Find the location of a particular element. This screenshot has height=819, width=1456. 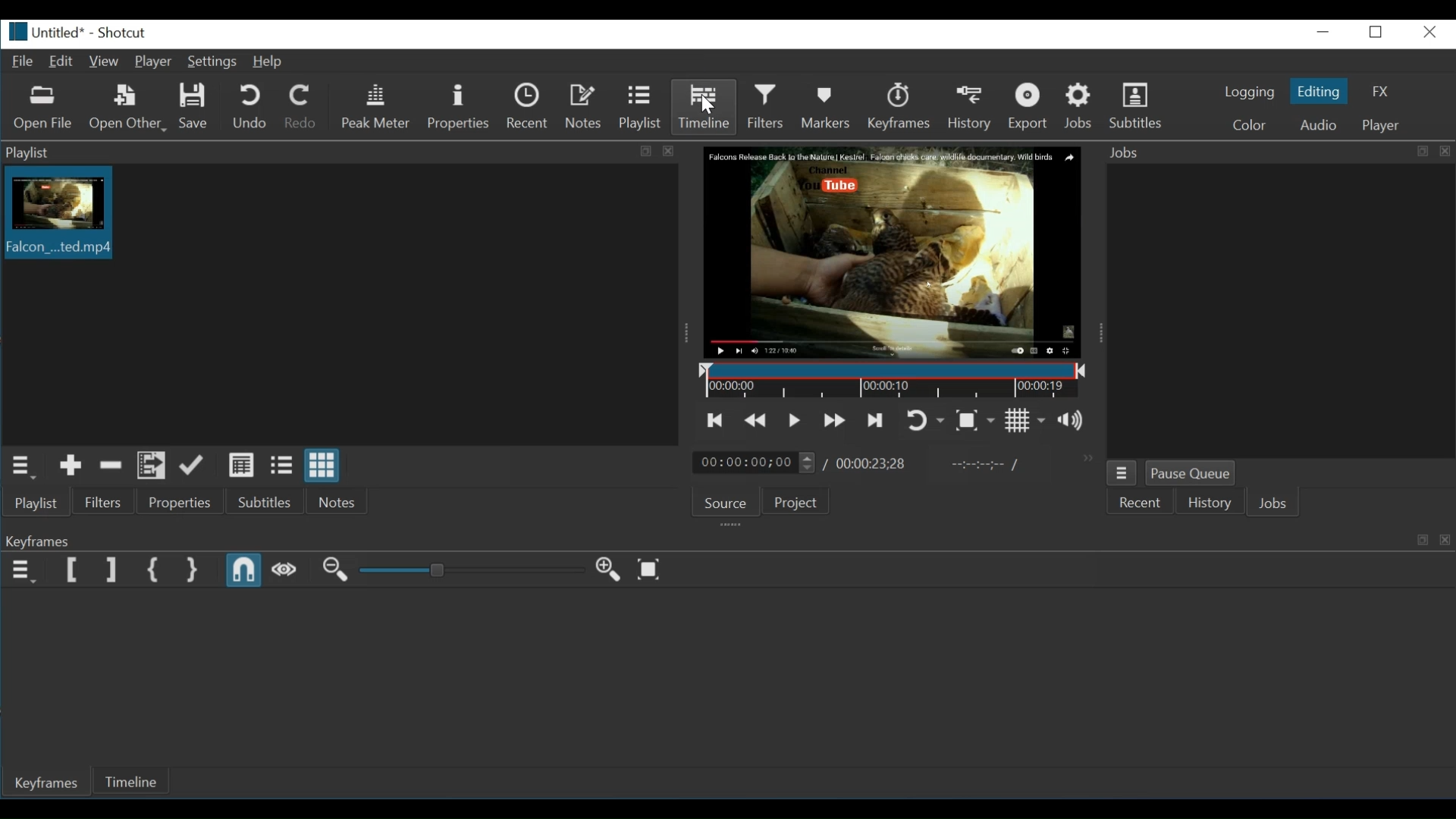

Audio is located at coordinates (1317, 124).